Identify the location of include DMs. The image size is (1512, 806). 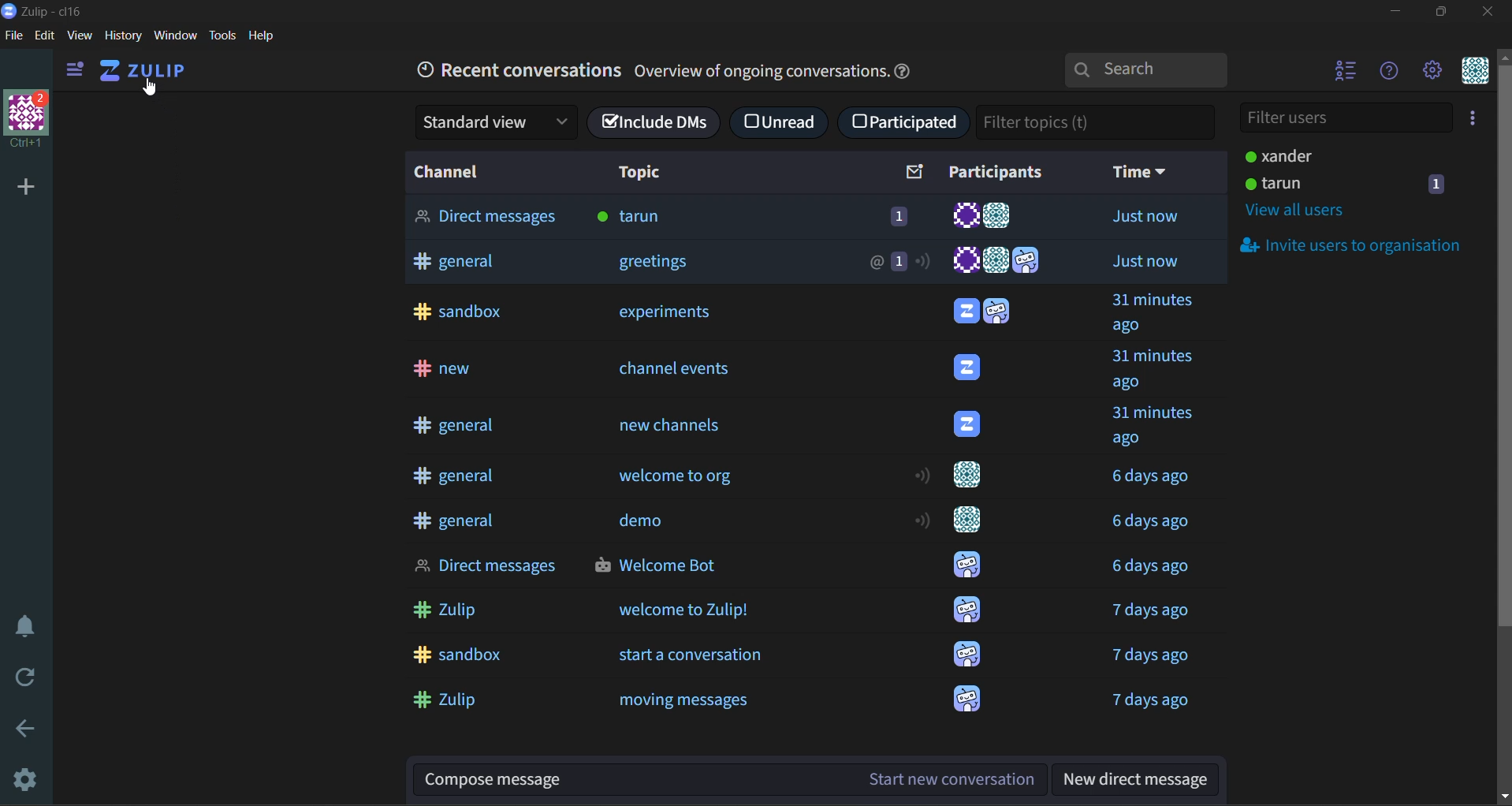
(657, 122).